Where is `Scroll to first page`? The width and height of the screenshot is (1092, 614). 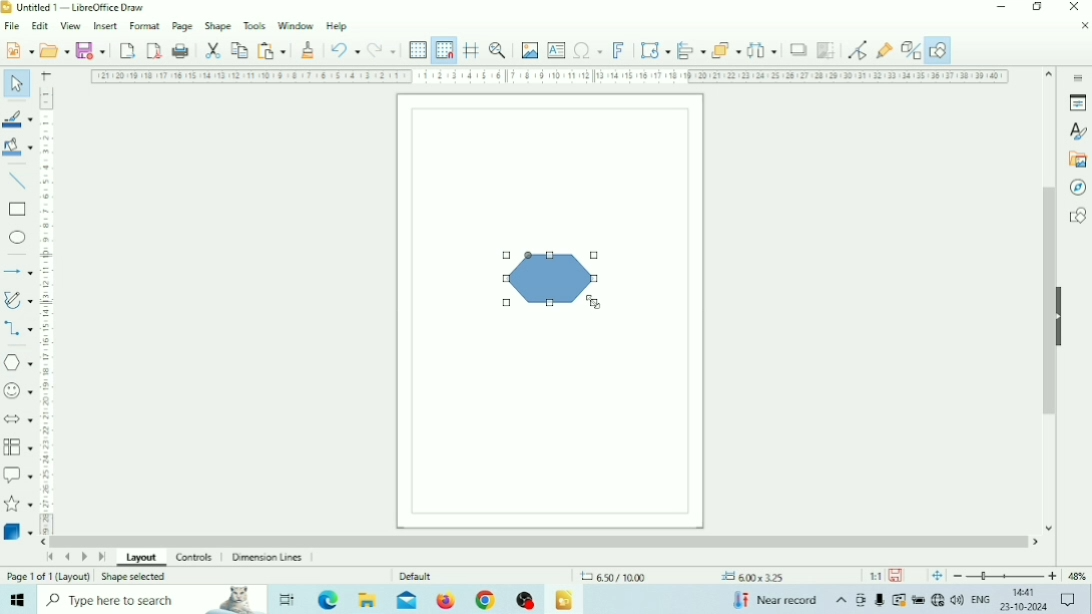
Scroll to first page is located at coordinates (49, 556).